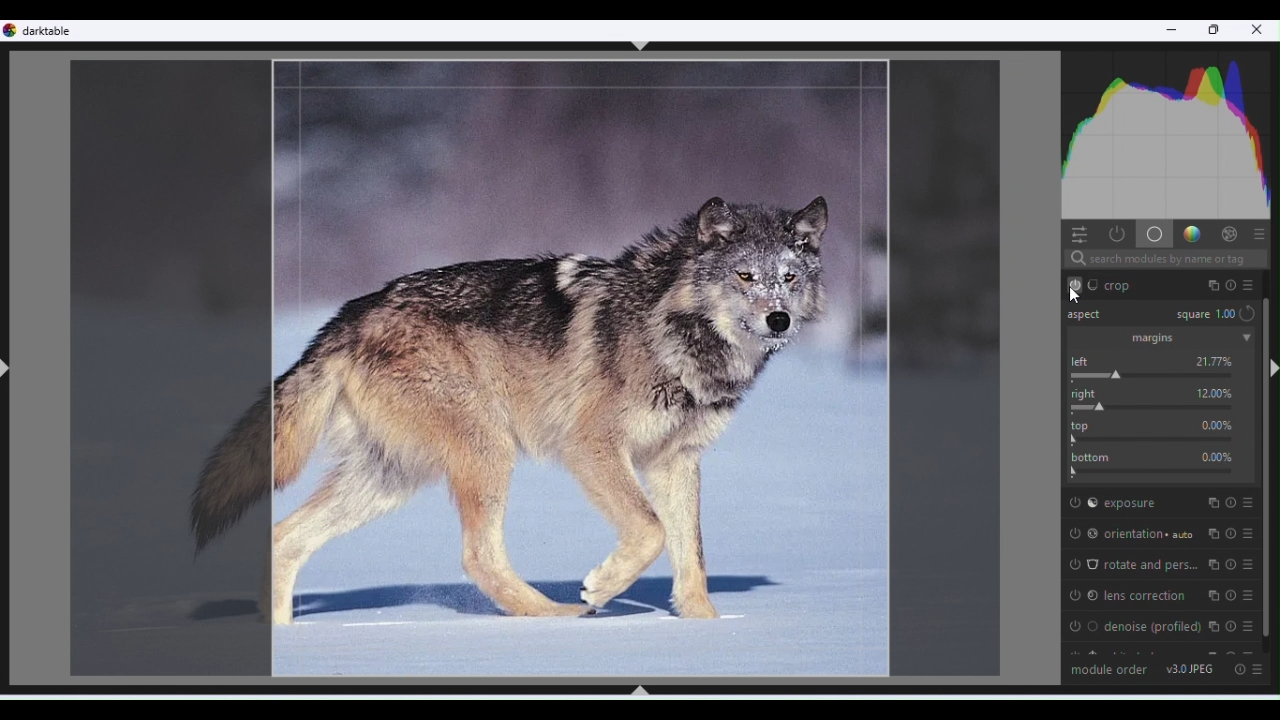  Describe the element at coordinates (1109, 668) in the screenshot. I see `Module order` at that location.